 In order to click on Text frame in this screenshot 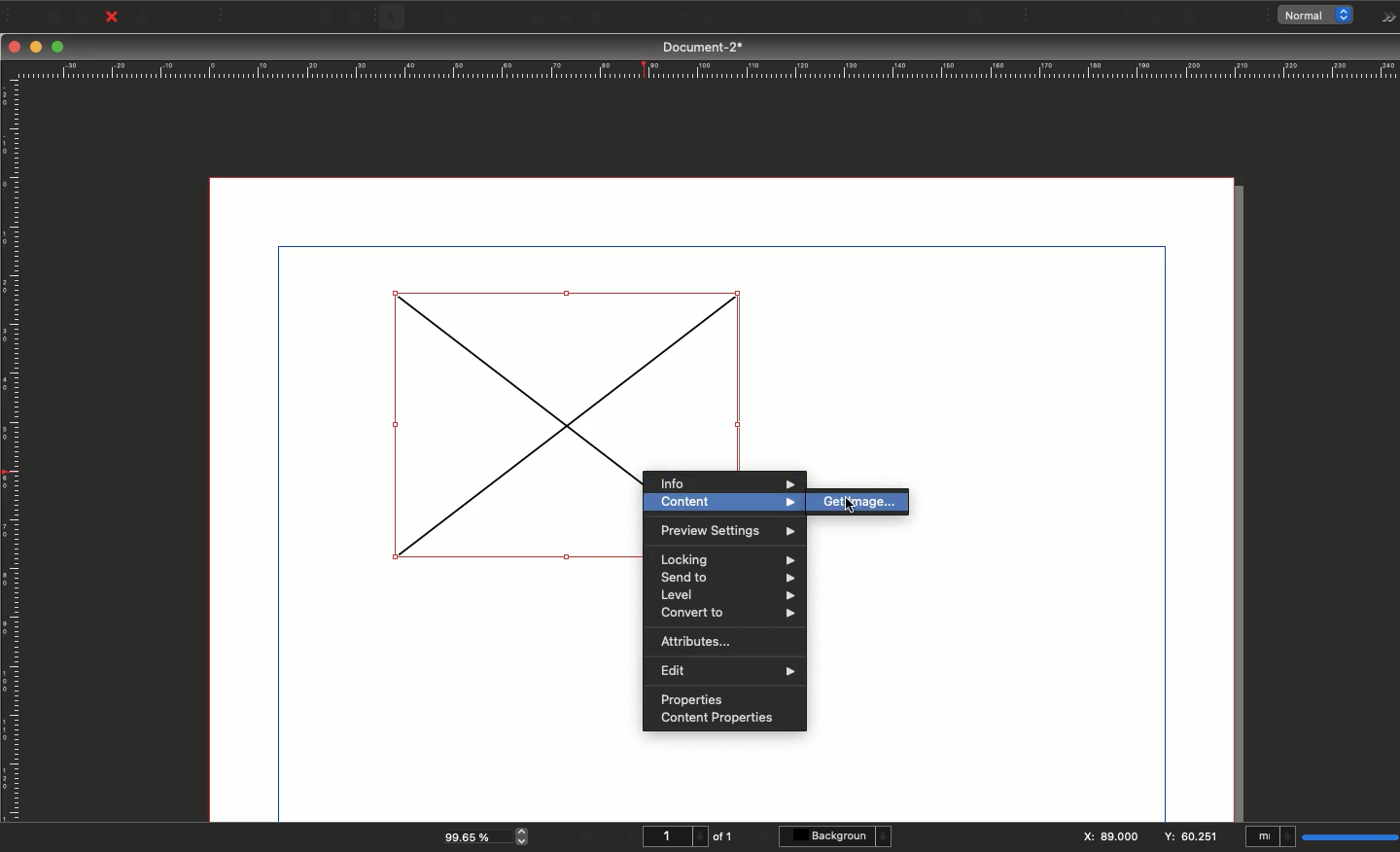, I will do `click(421, 19)`.